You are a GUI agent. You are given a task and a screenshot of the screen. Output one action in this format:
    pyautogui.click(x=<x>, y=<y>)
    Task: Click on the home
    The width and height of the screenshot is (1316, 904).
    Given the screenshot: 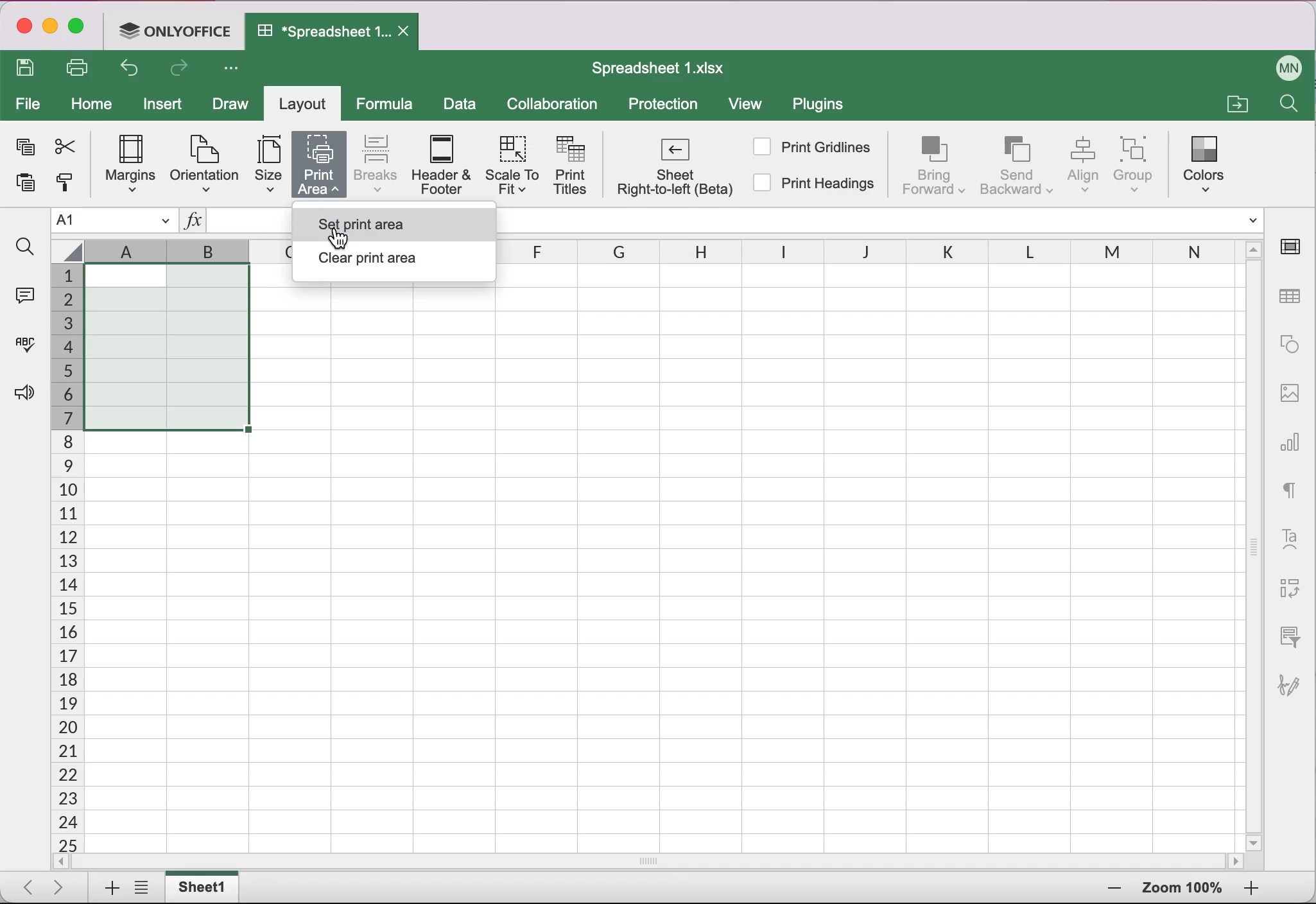 What is the action you would take?
    pyautogui.click(x=92, y=105)
    